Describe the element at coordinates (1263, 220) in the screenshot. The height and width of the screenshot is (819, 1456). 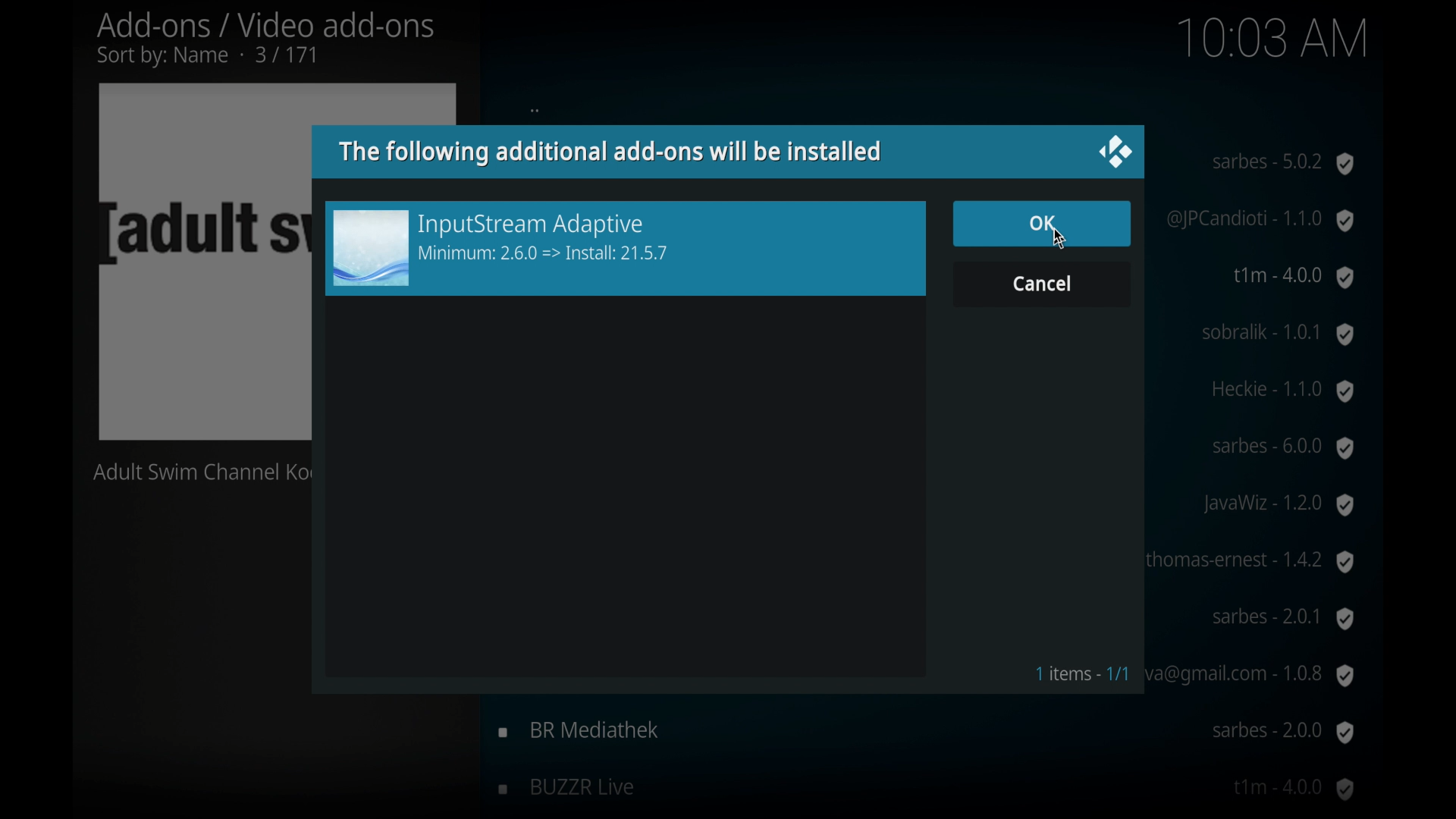
I see `5rtv` at that location.